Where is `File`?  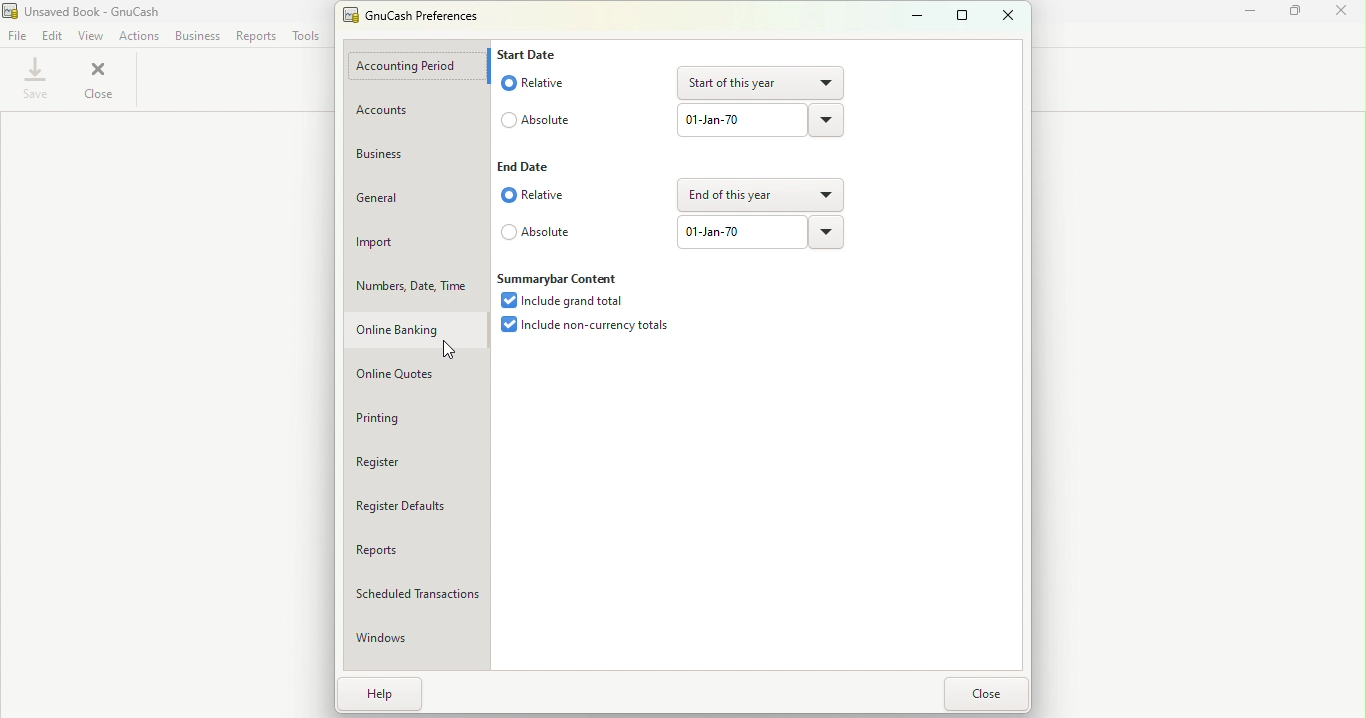
File is located at coordinates (18, 36).